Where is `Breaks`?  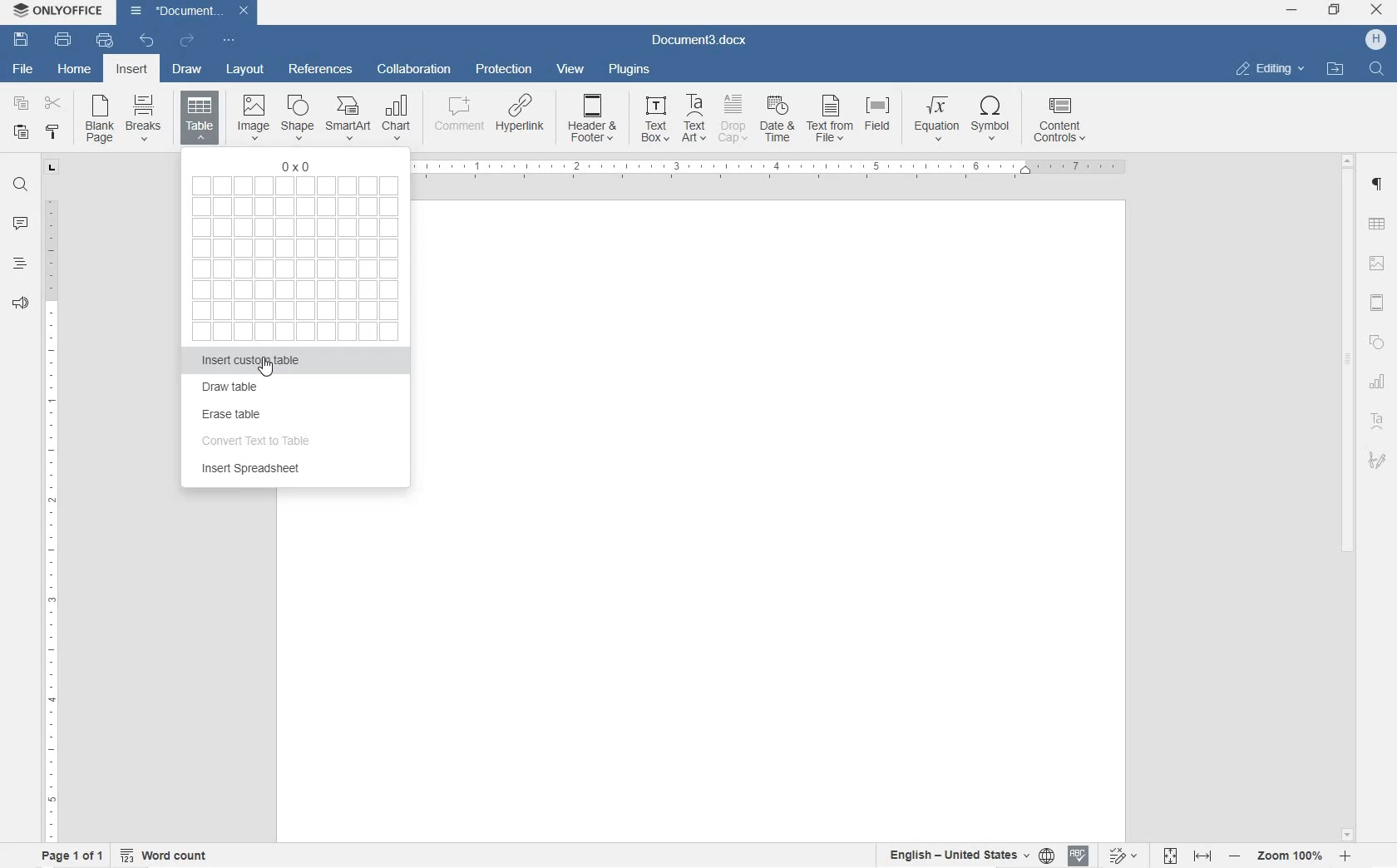 Breaks is located at coordinates (144, 117).